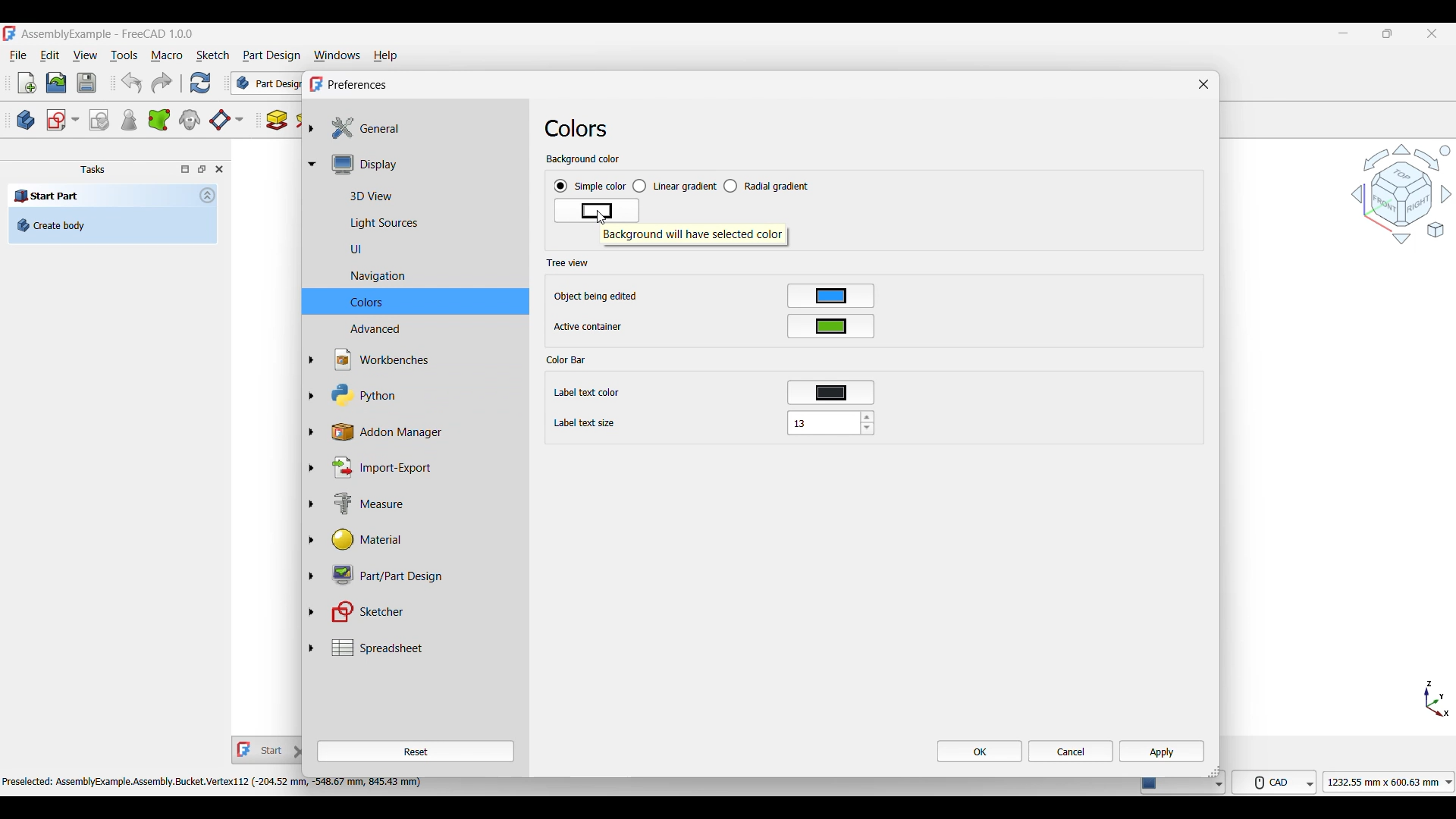  What do you see at coordinates (601, 219) in the screenshot?
I see `cursor` at bounding box center [601, 219].